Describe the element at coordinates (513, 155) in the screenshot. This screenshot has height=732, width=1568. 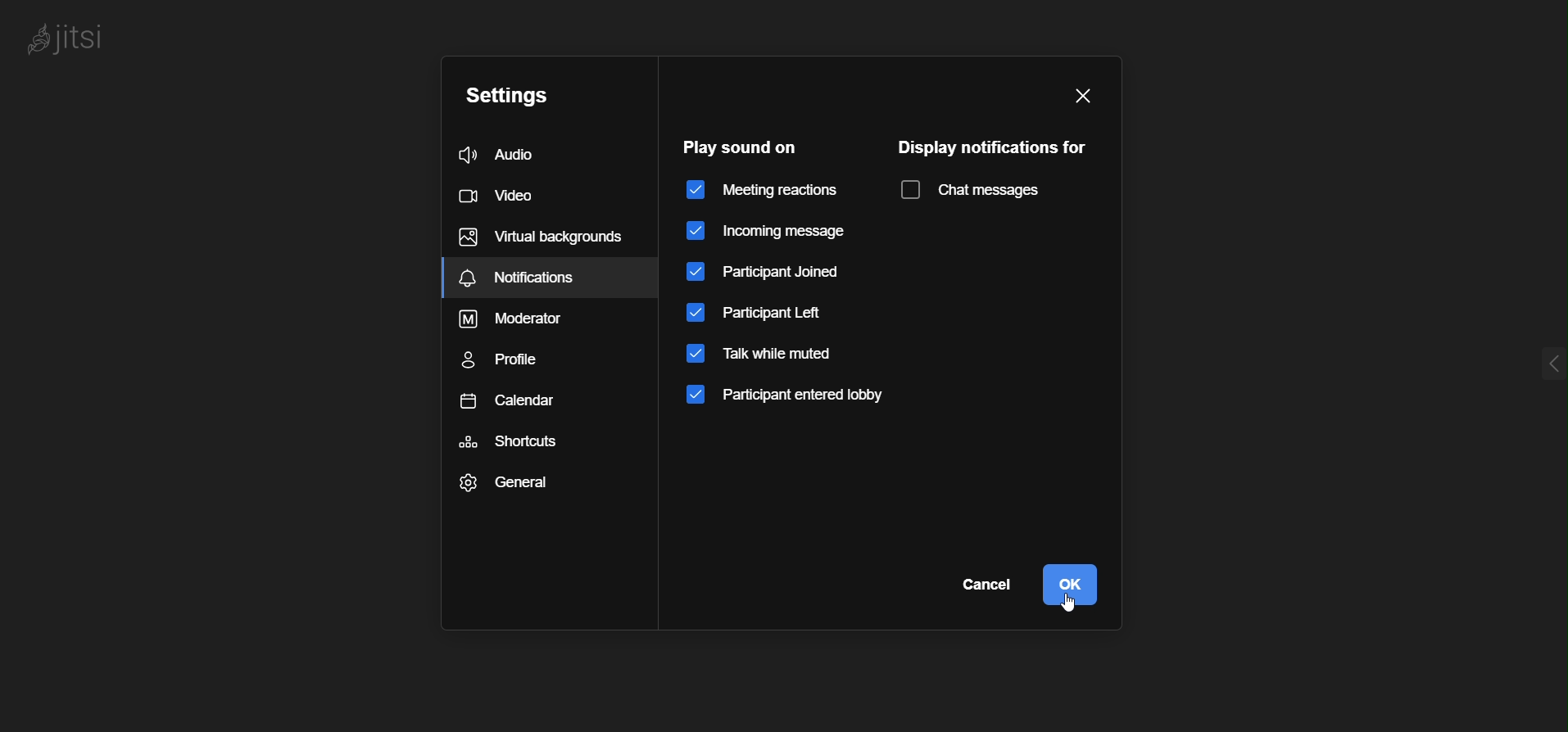
I see `audio` at that location.